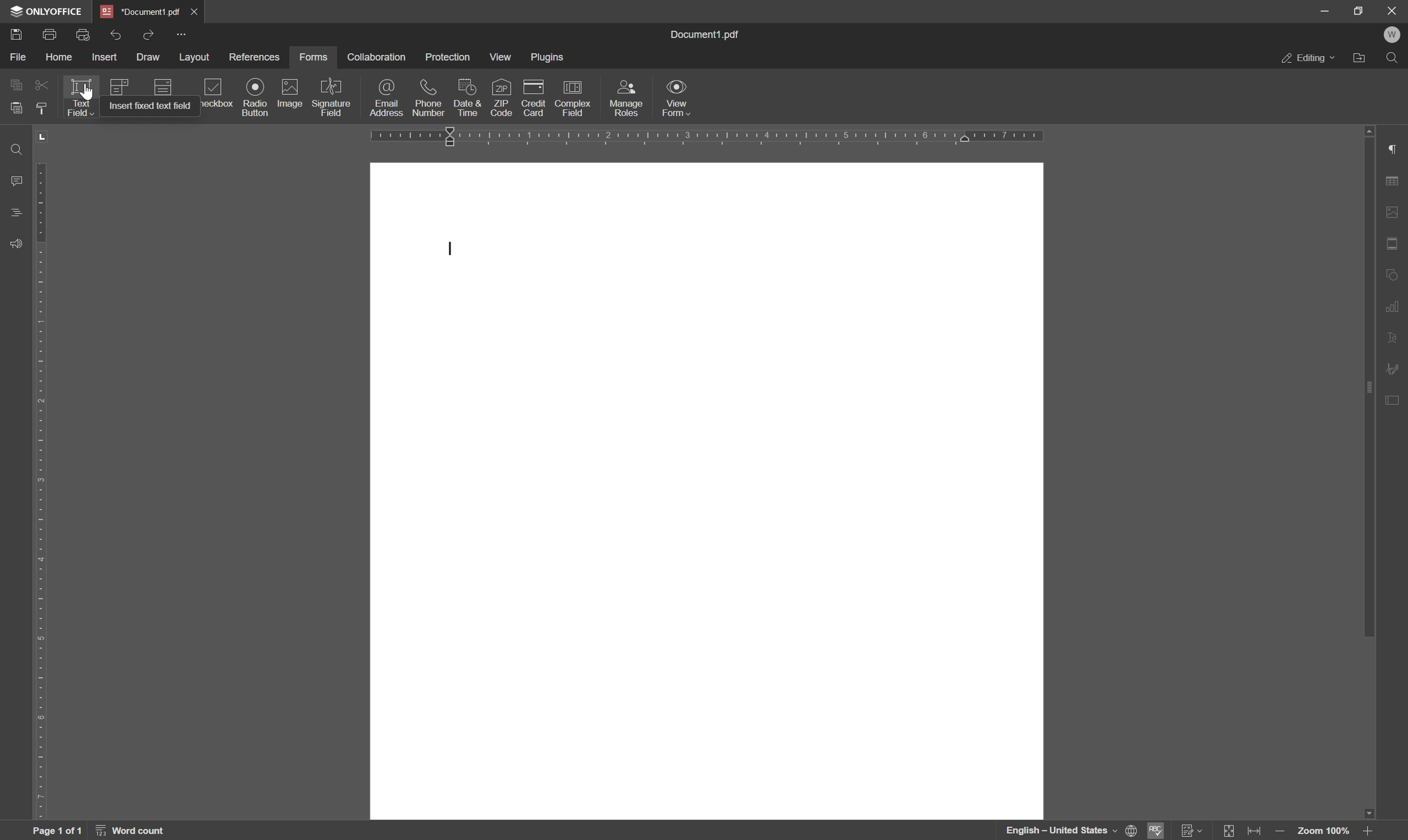 The width and height of the screenshot is (1408, 840). I want to click on zoom out, so click(1371, 832).